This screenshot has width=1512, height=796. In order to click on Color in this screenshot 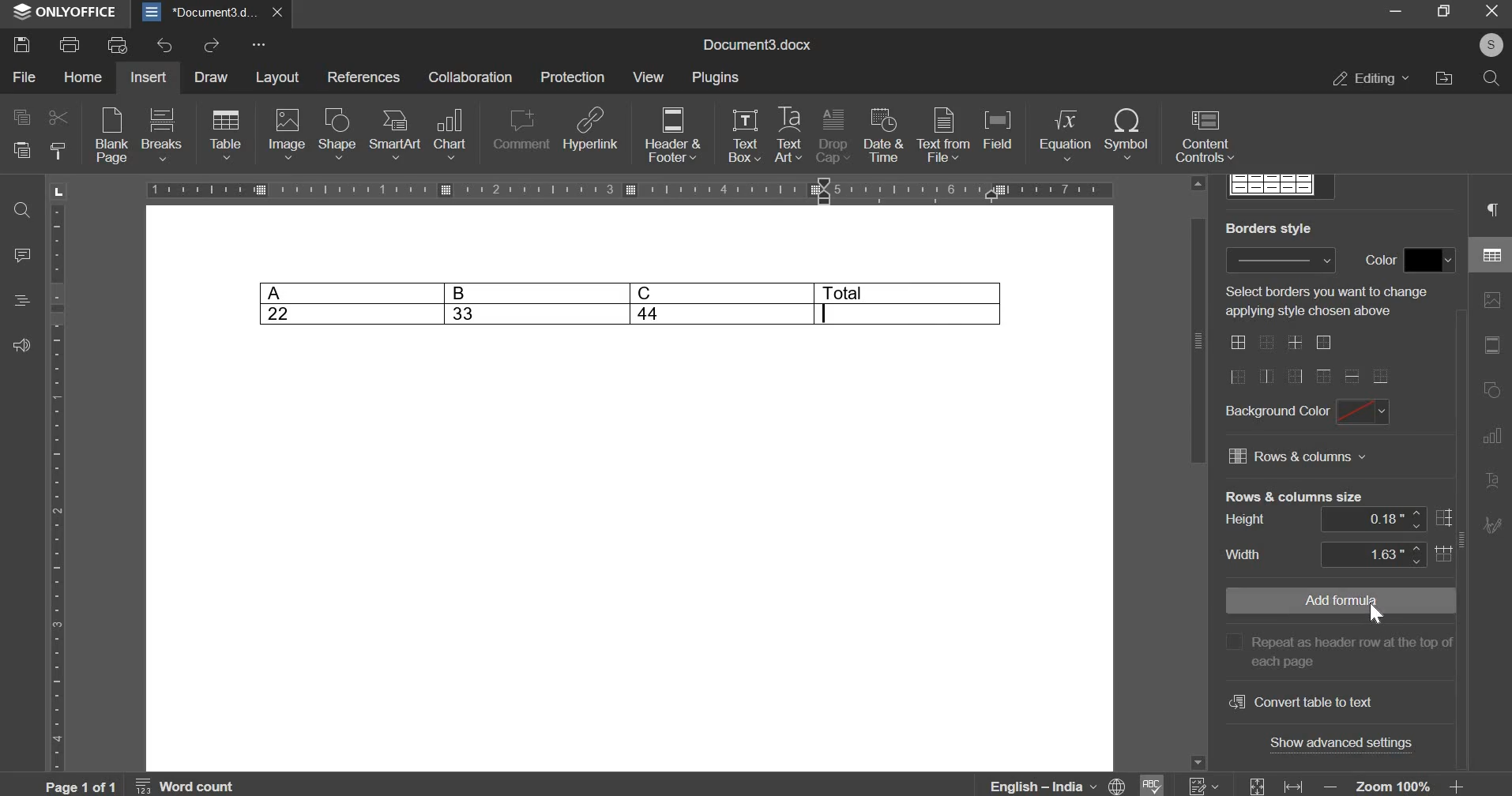, I will do `click(1378, 260)`.